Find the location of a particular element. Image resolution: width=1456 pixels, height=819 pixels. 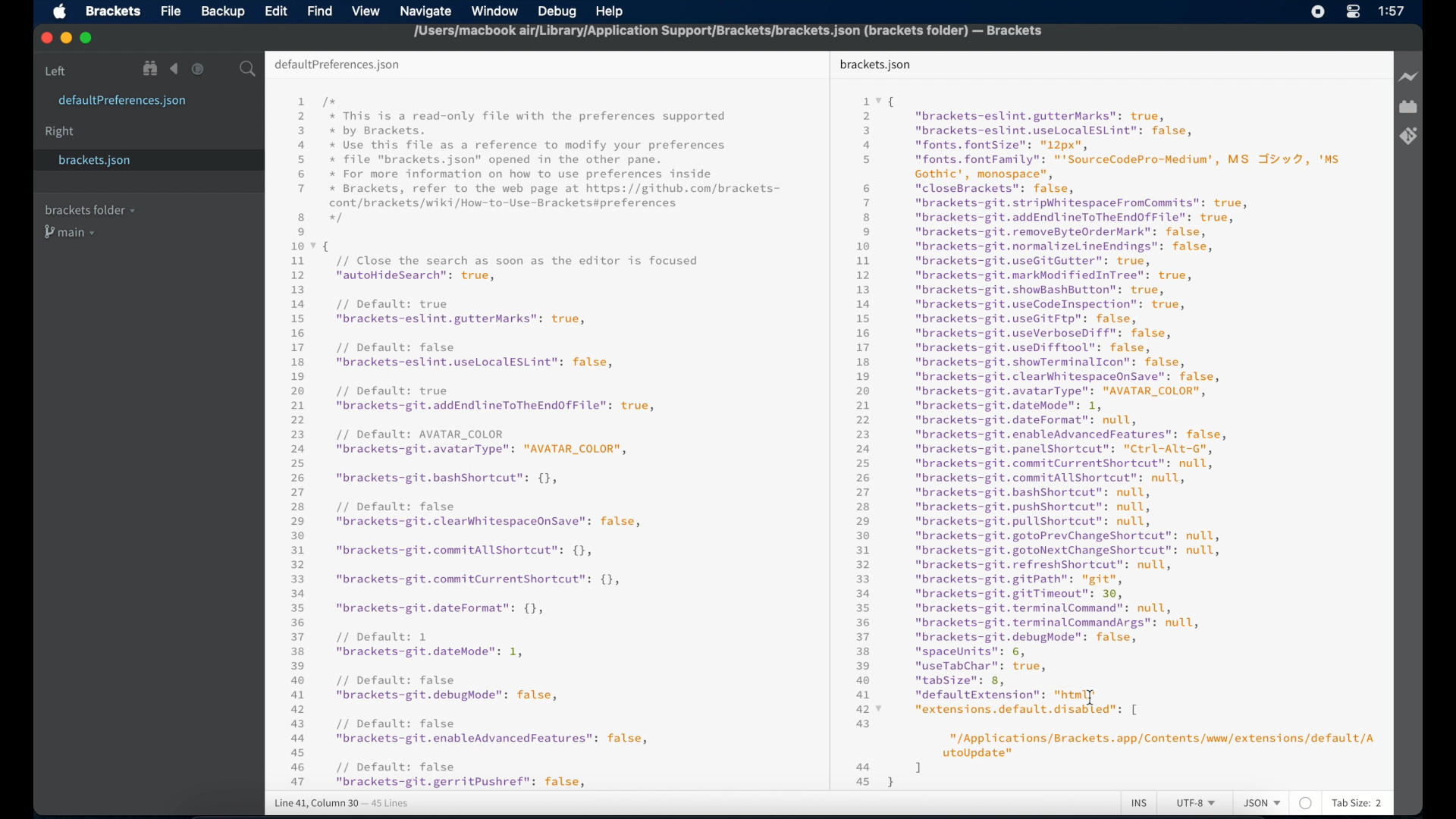

main is located at coordinates (72, 234).